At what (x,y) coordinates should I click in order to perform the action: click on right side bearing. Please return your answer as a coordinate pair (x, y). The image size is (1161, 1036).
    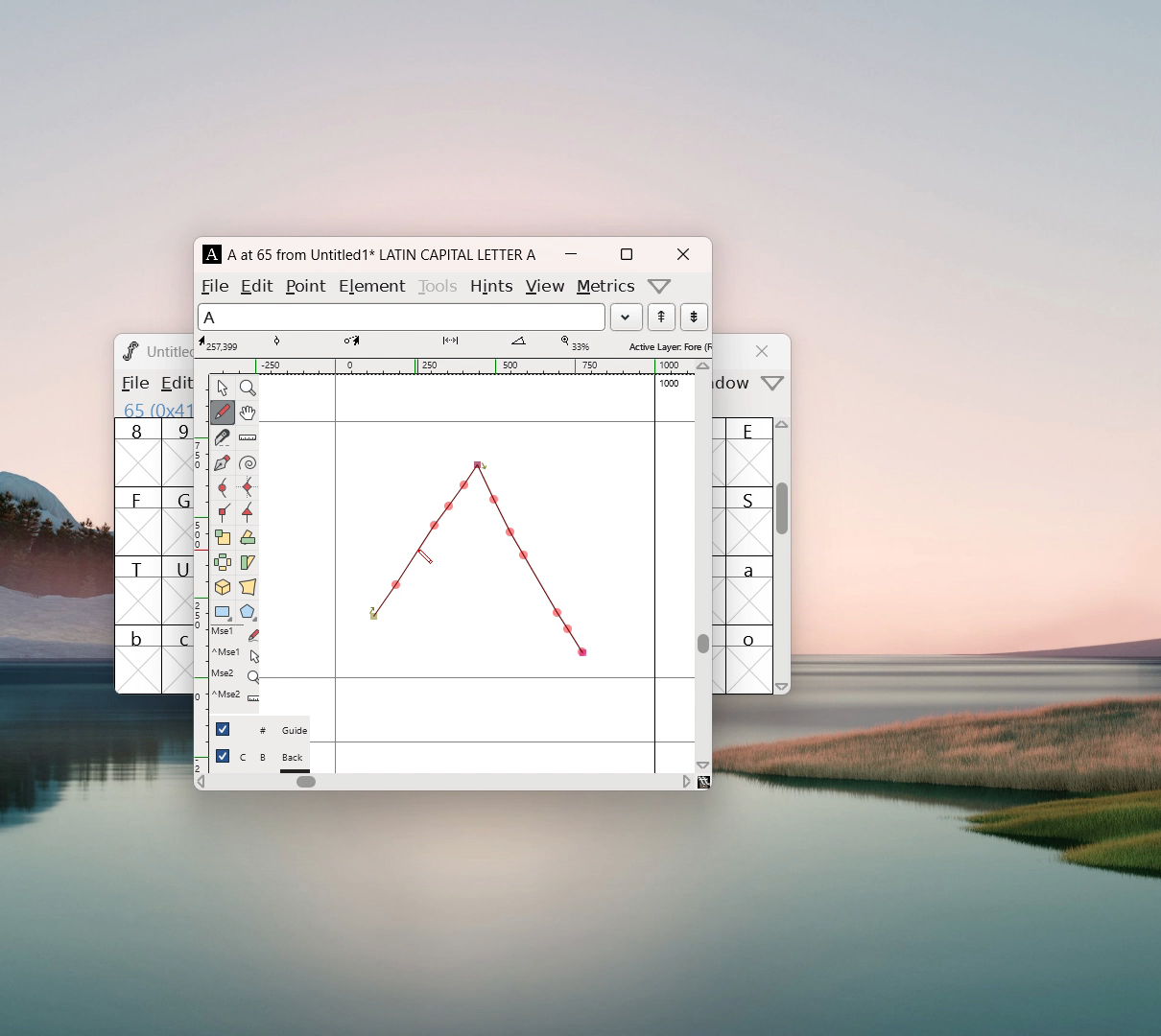
    Looking at the image, I should click on (655, 573).